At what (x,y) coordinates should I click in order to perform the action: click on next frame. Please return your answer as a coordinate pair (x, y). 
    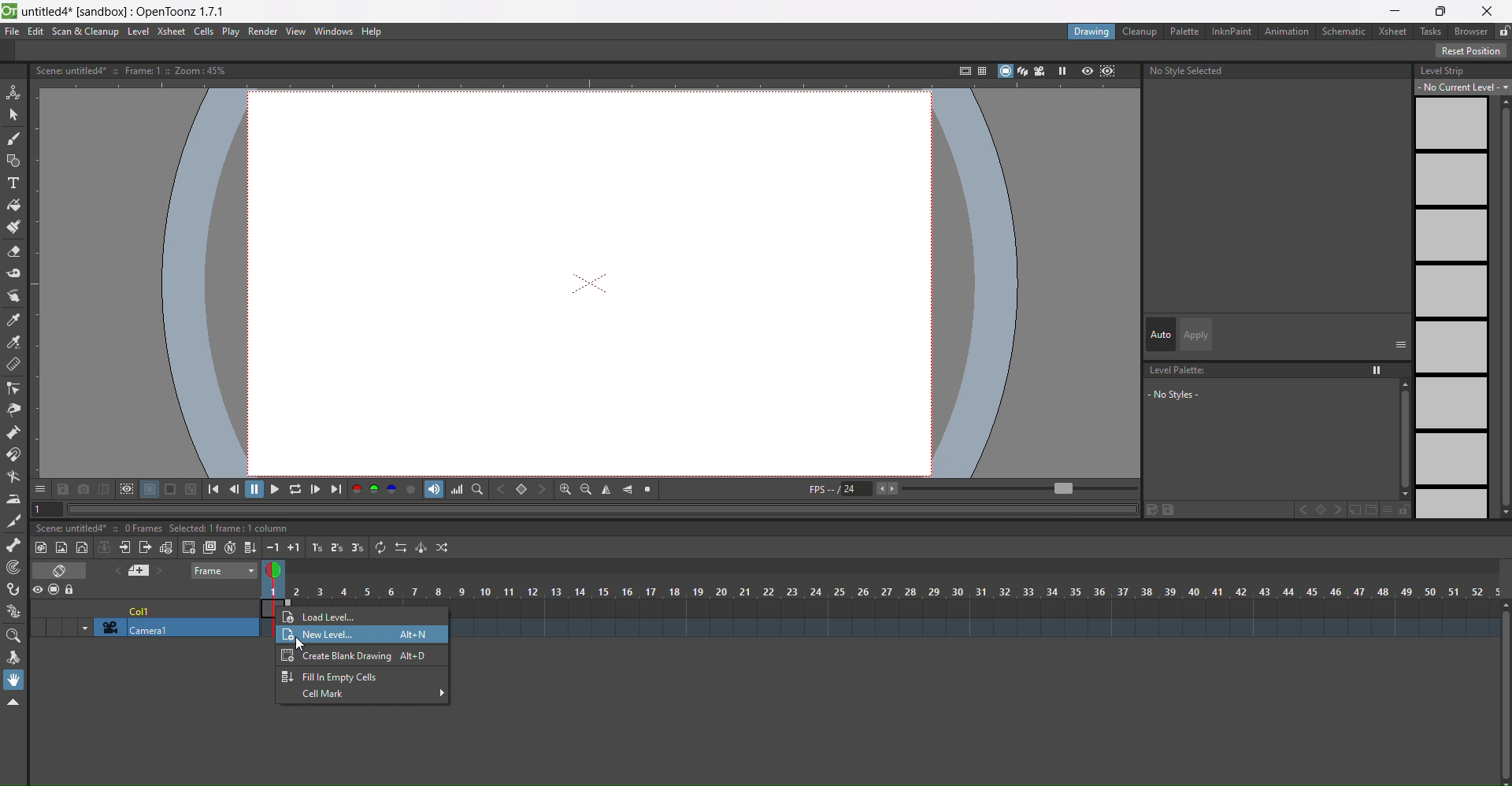
    Looking at the image, I should click on (316, 489).